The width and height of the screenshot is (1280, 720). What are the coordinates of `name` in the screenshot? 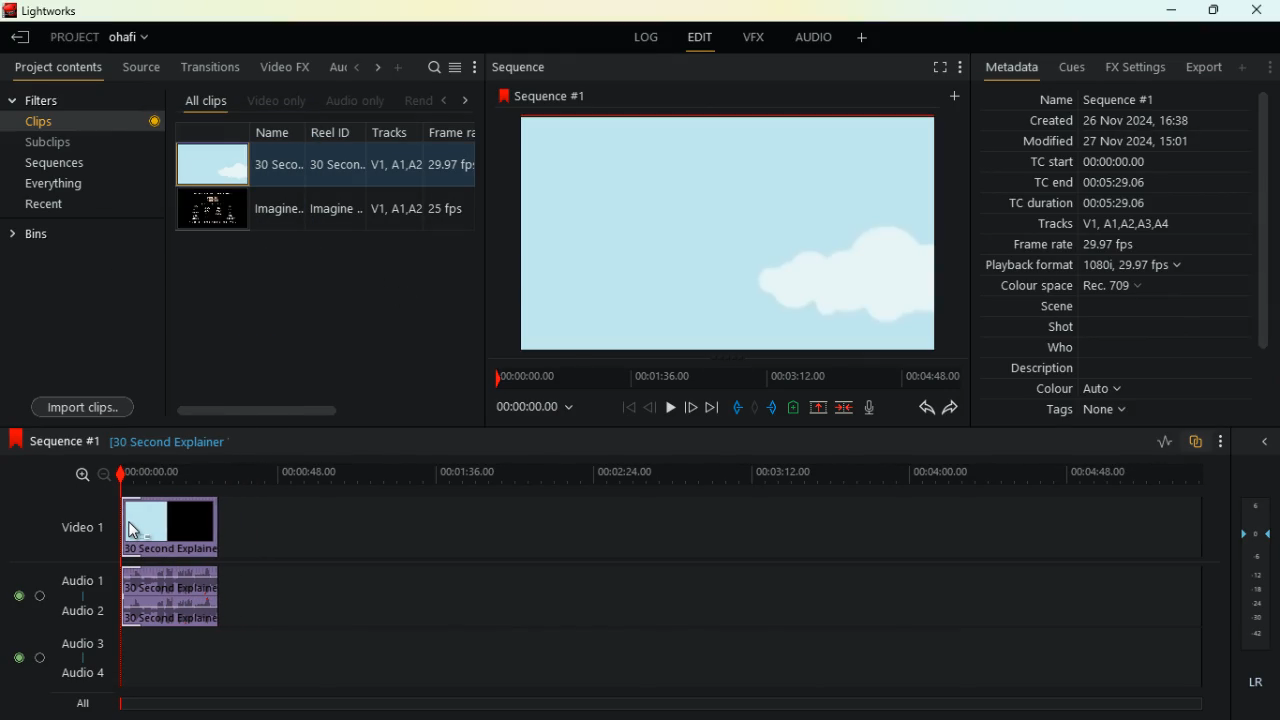 It's located at (279, 177).